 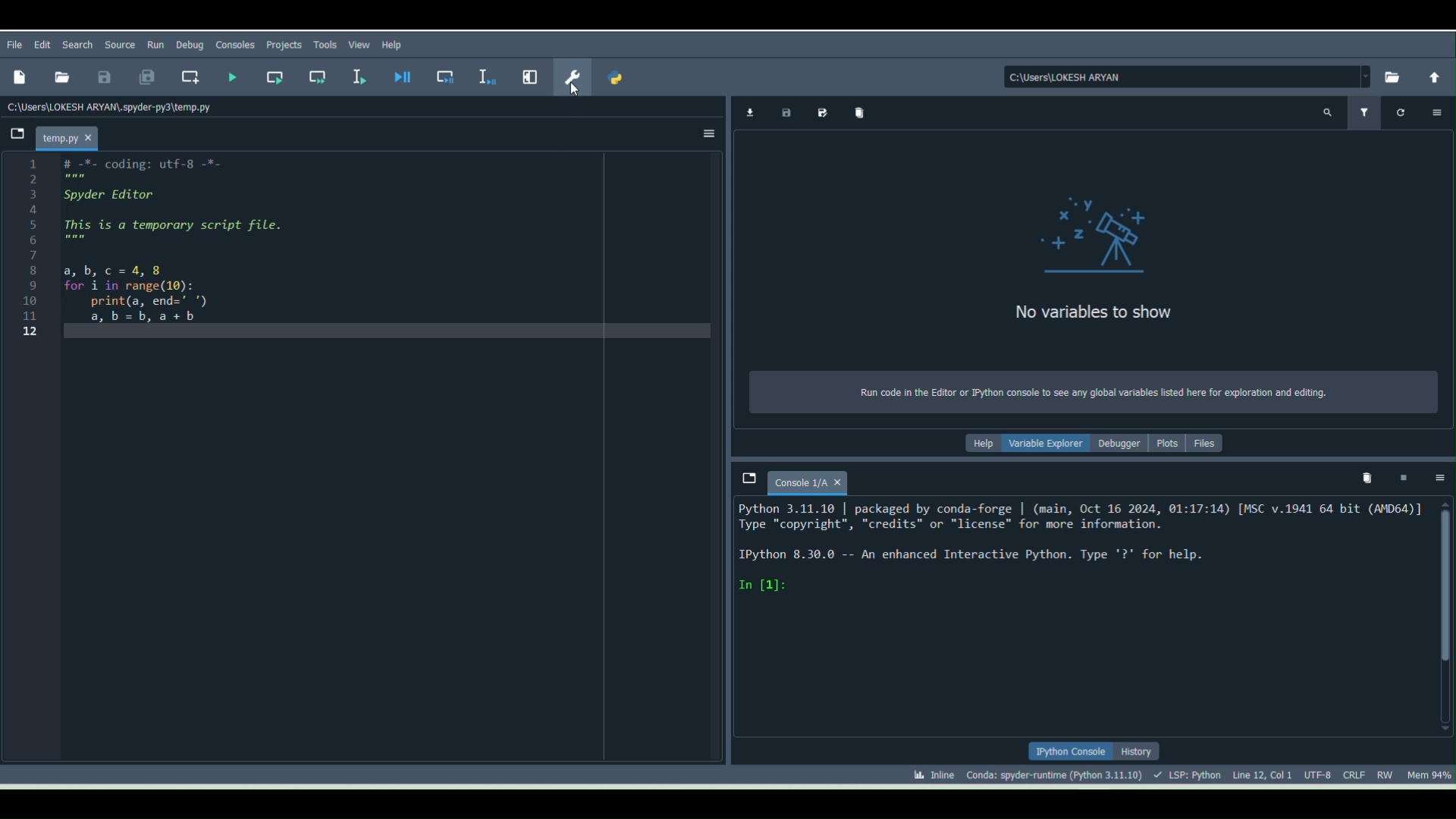 What do you see at coordinates (1435, 115) in the screenshot?
I see `more option` at bounding box center [1435, 115].